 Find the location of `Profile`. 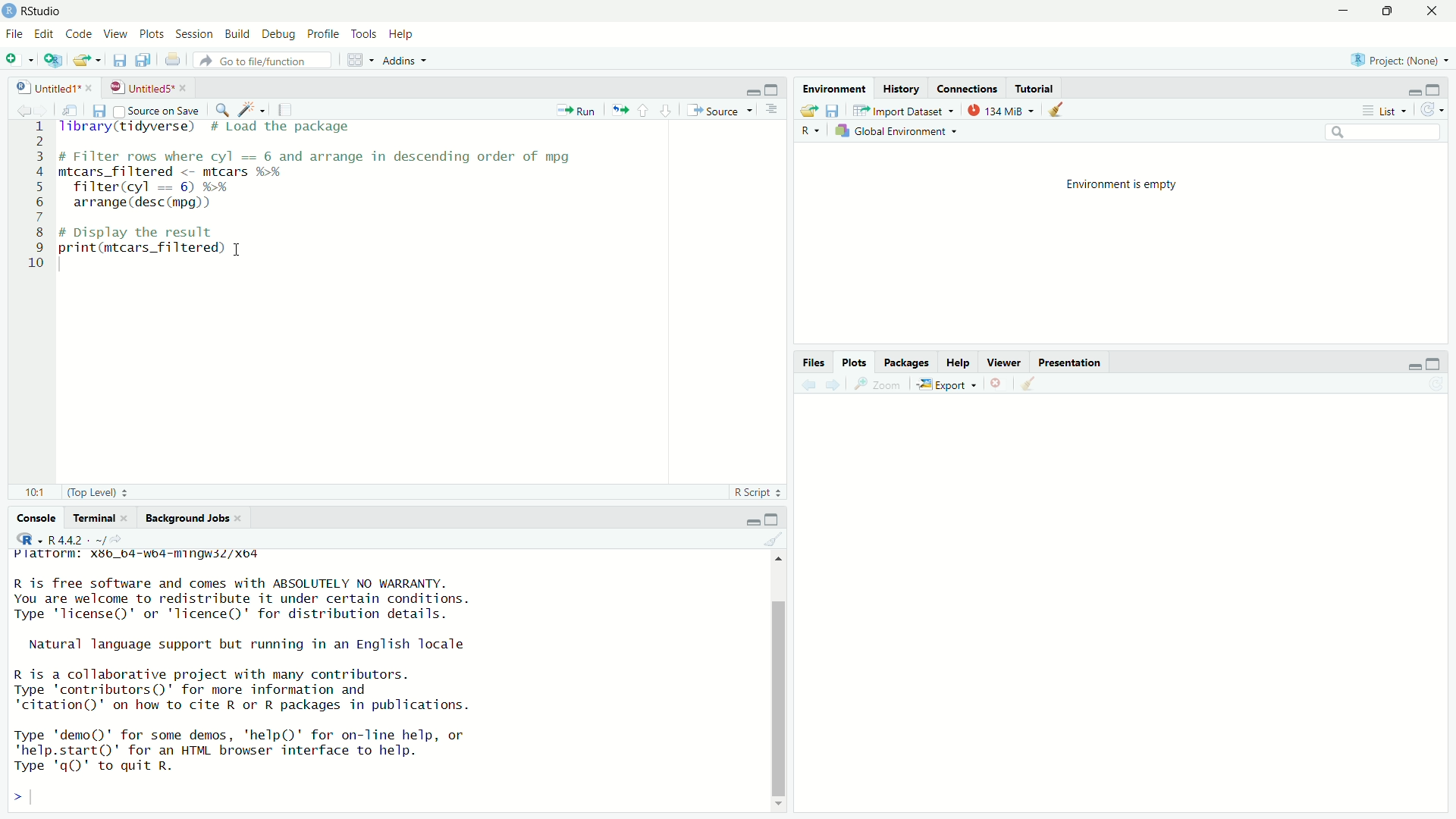

Profile is located at coordinates (324, 34).